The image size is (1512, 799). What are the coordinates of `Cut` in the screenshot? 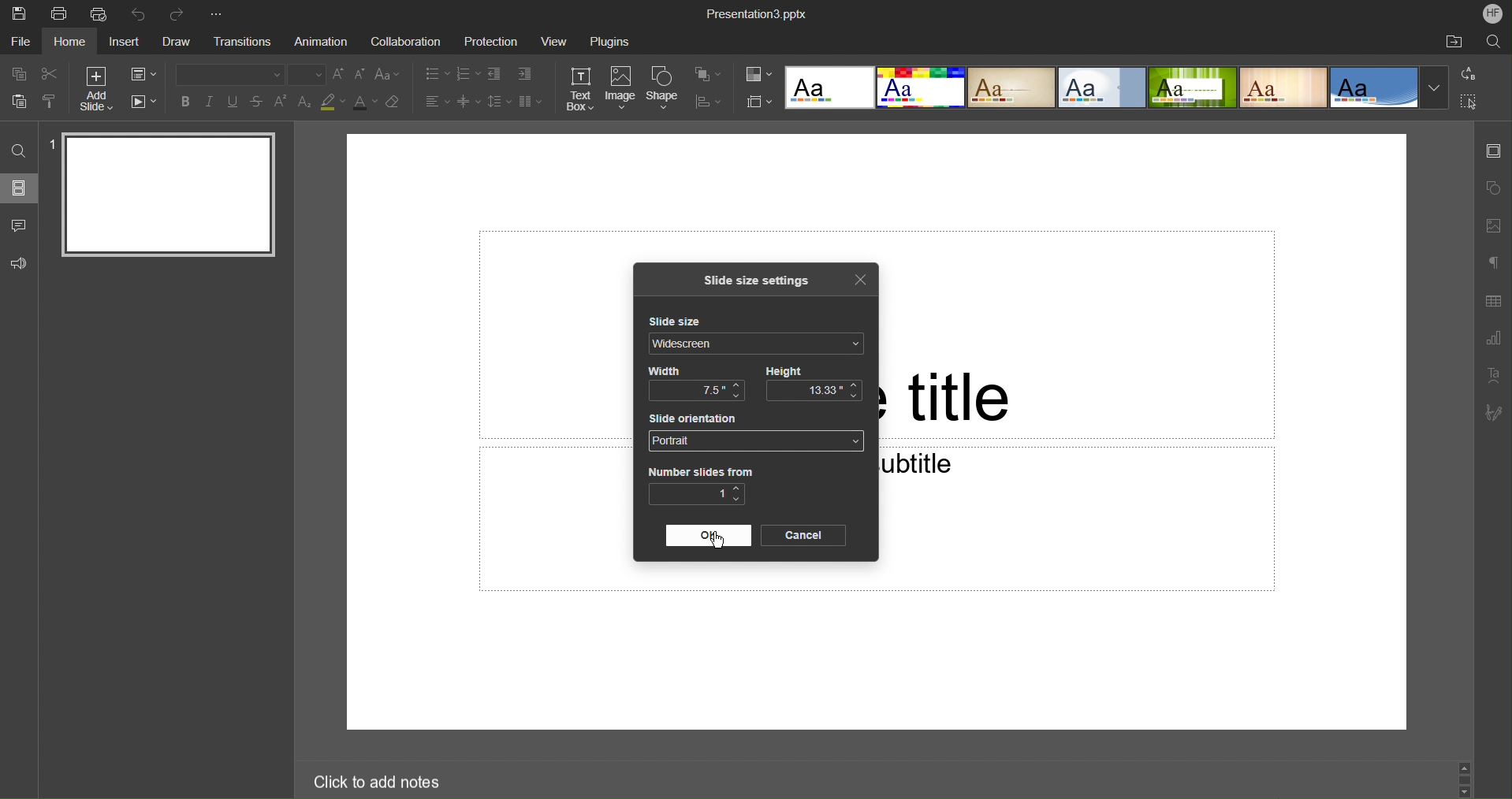 It's located at (50, 74).